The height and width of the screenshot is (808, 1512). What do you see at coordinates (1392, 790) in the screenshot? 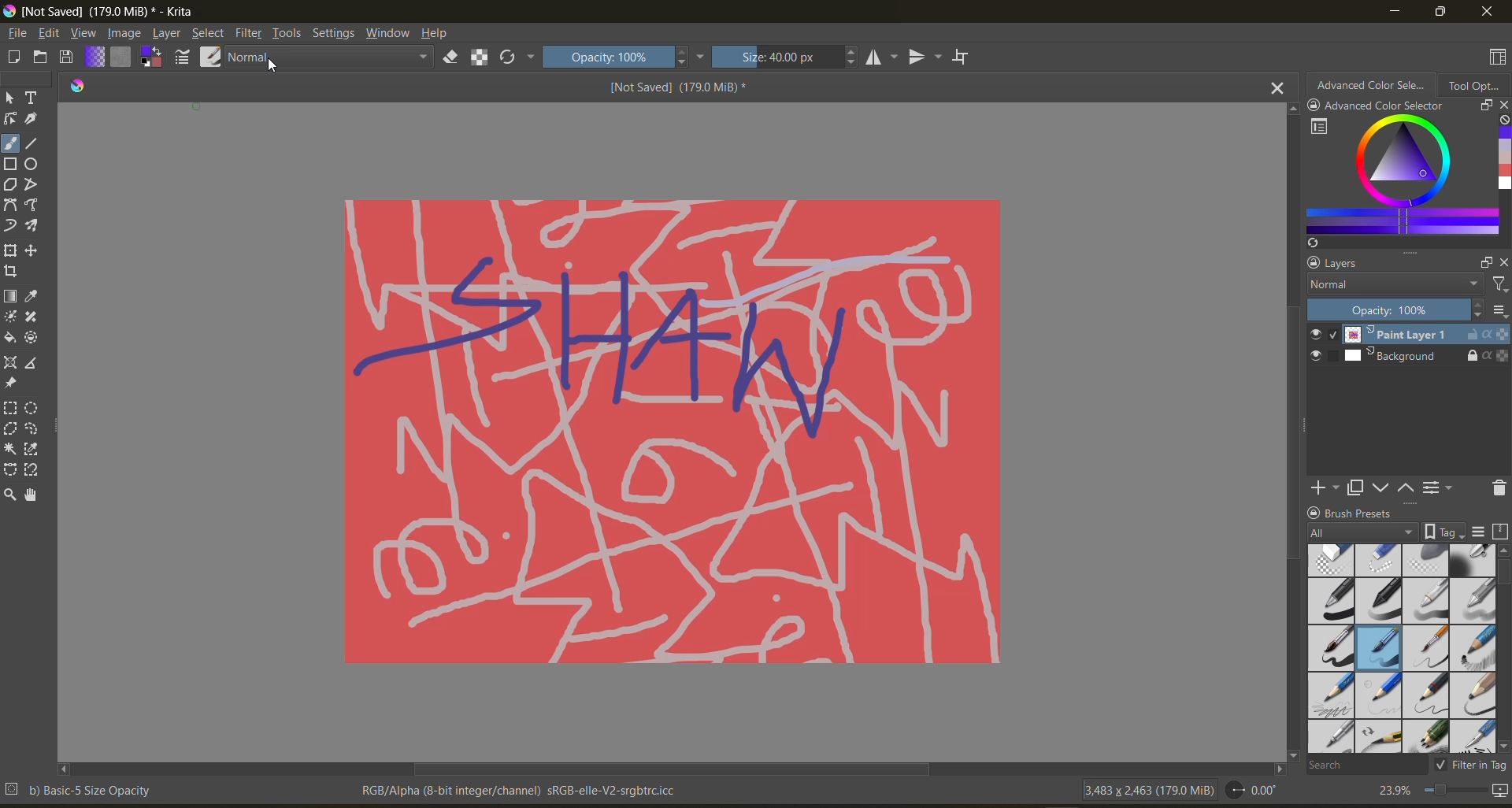
I see `23.9%` at bounding box center [1392, 790].